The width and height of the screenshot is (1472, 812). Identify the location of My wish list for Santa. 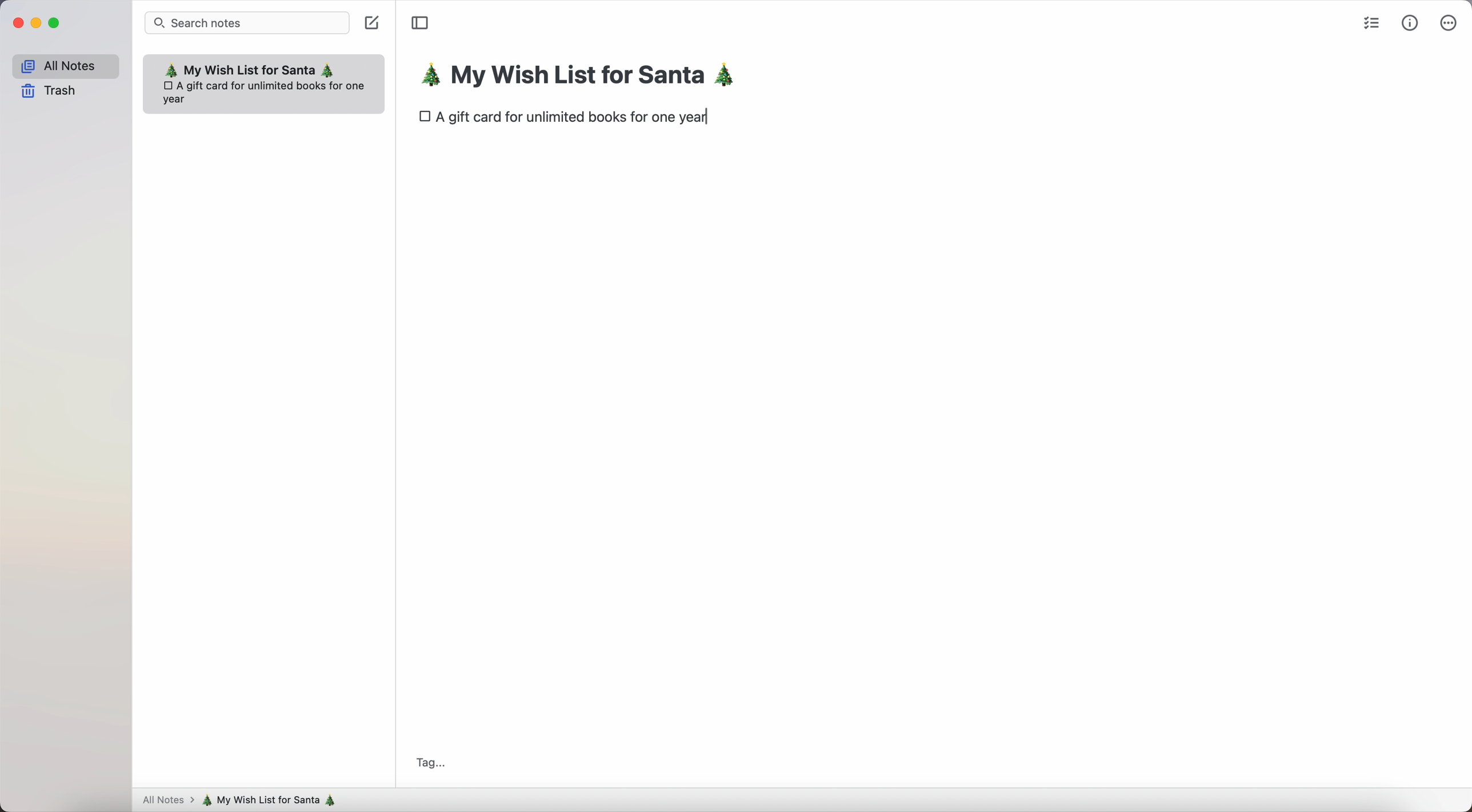
(250, 69).